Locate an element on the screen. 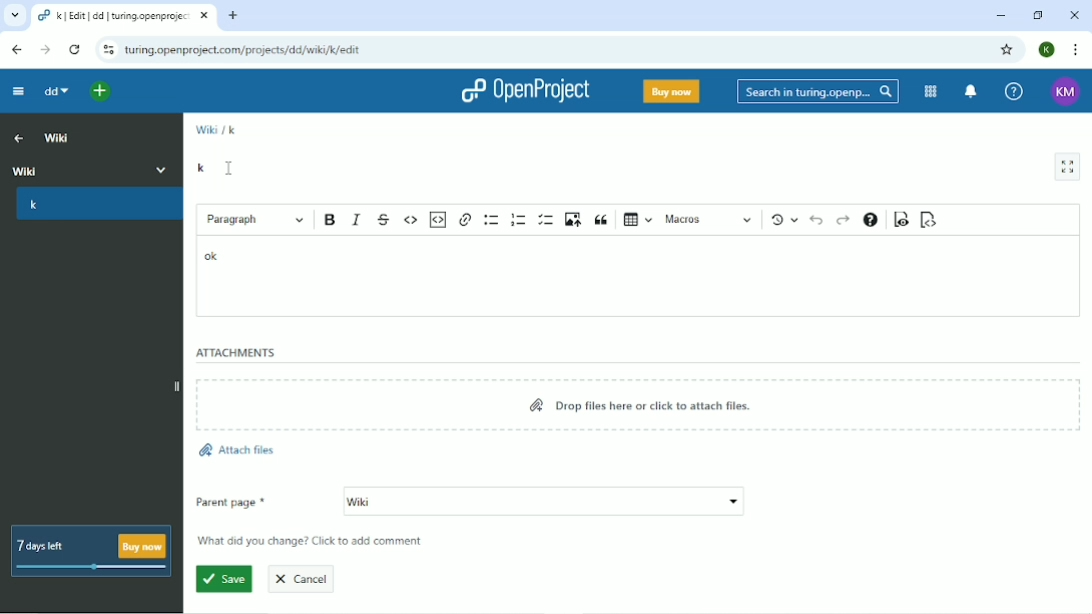  k is located at coordinates (200, 166).